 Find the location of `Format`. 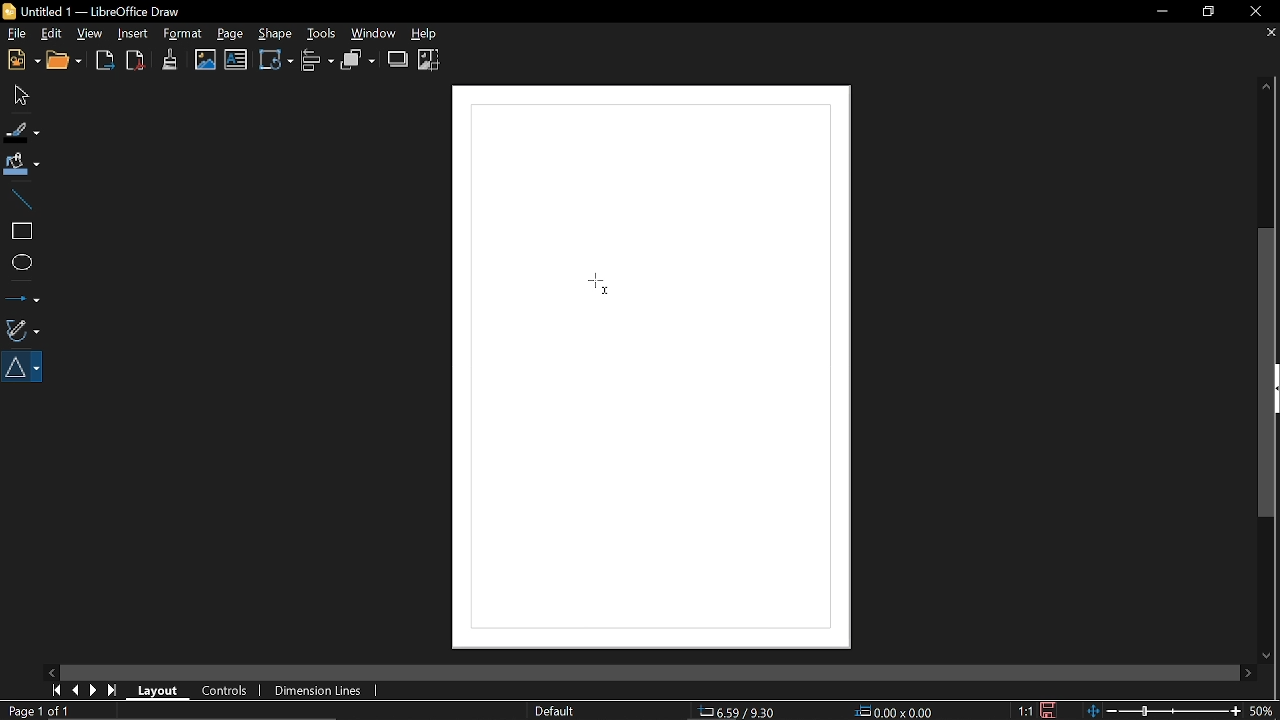

Format is located at coordinates (182, 34).